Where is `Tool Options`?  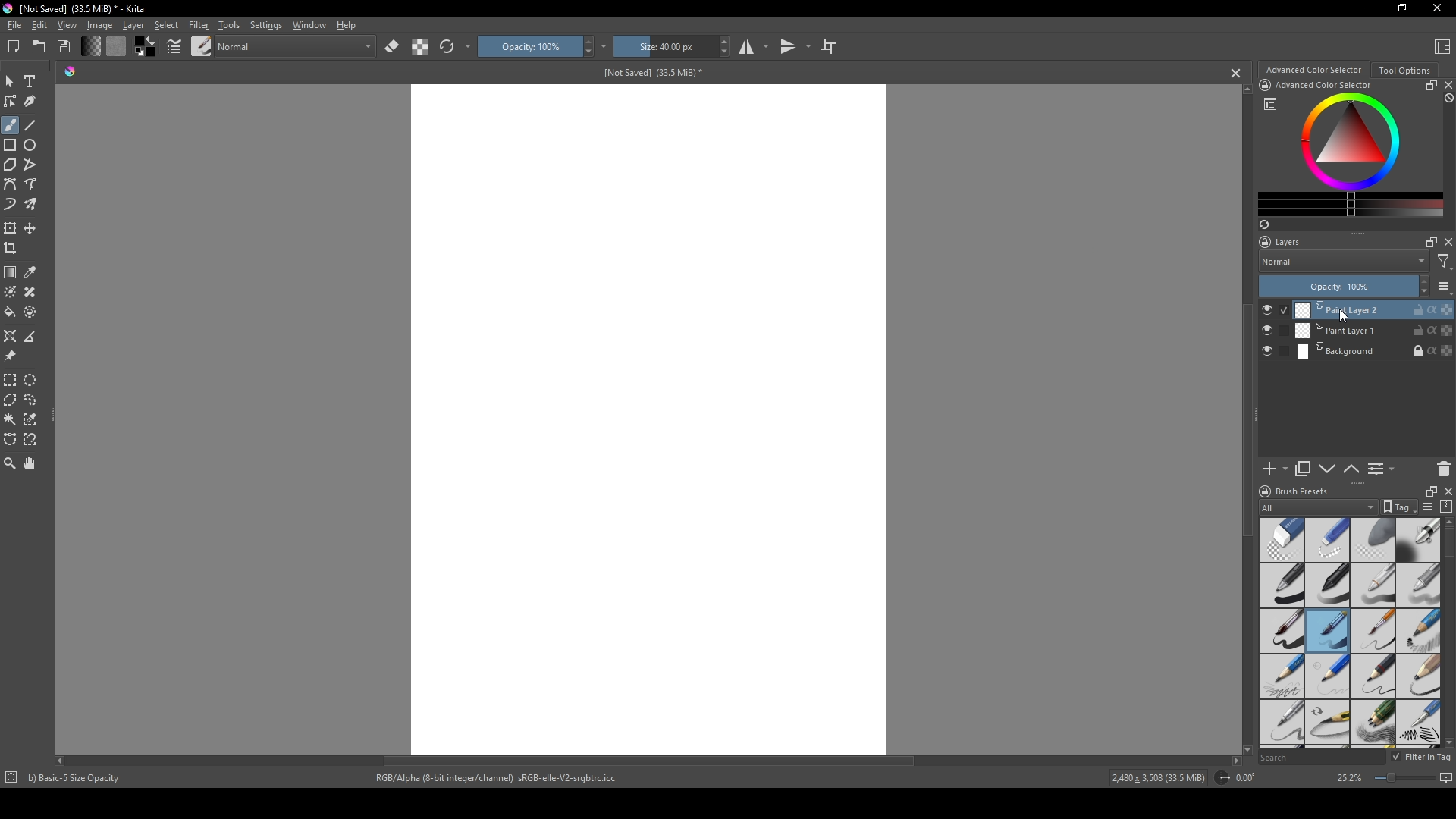
Tool Options is located at coordinates (1404, 71).